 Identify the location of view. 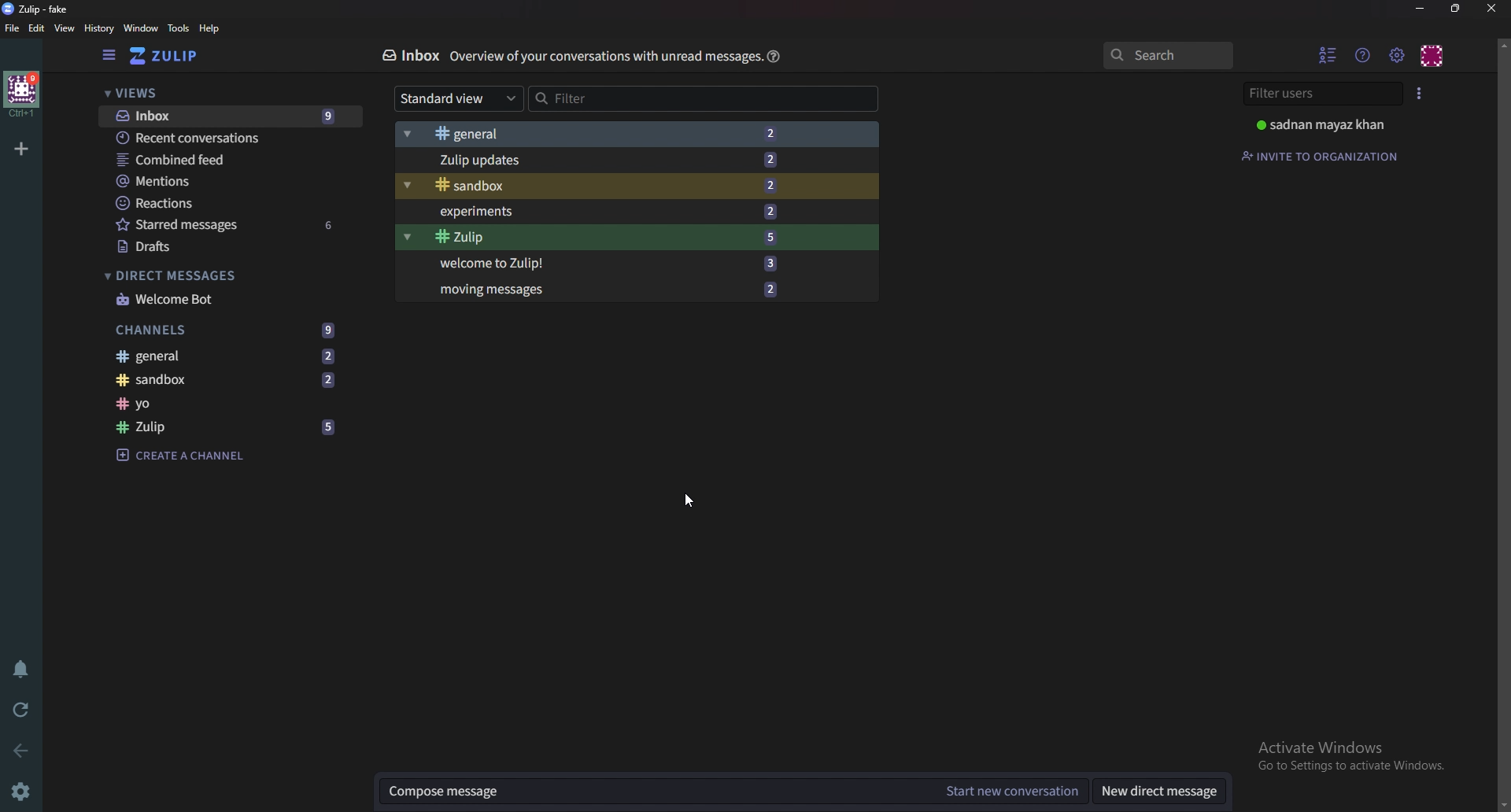
(65, 28).